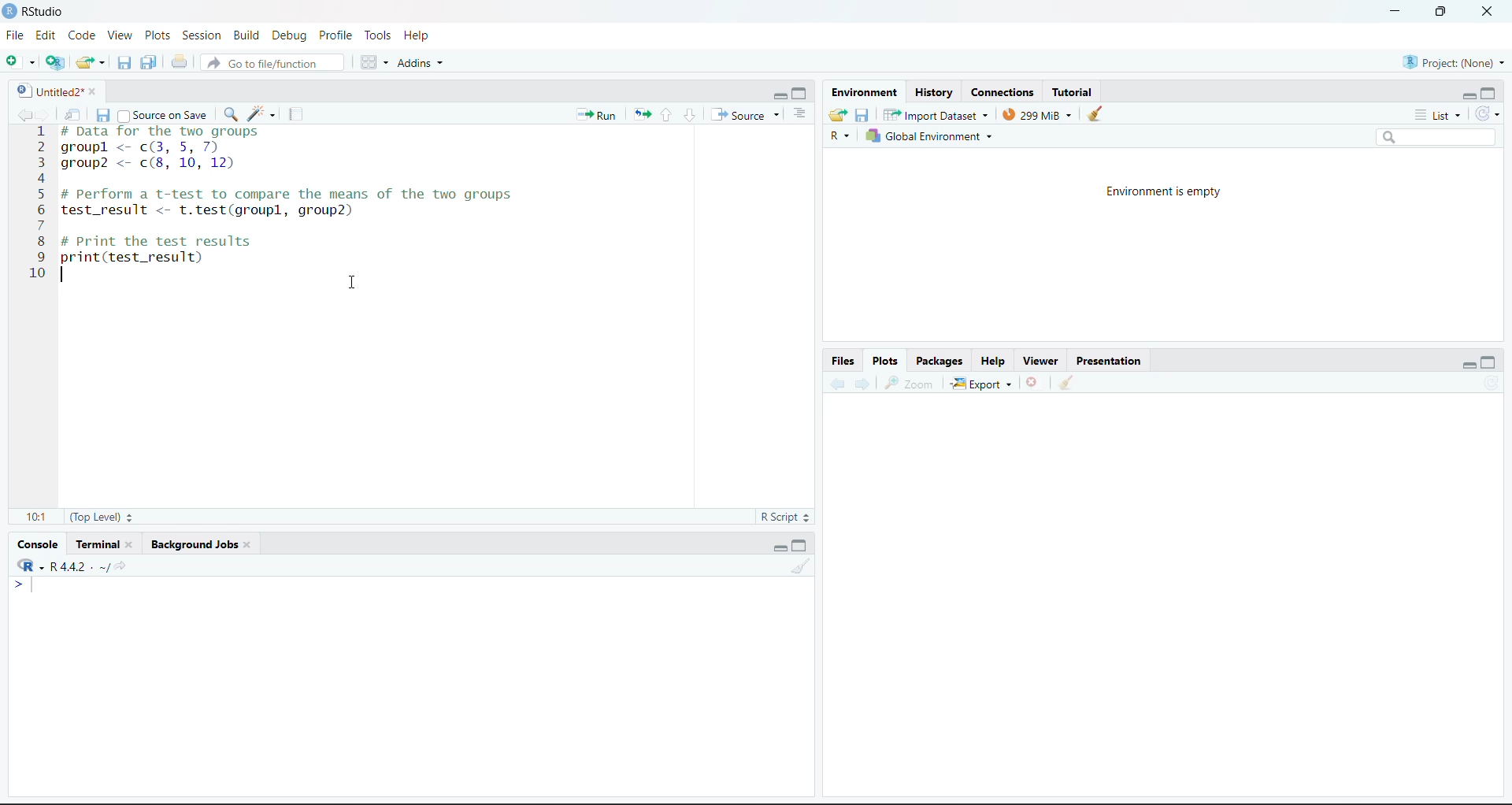  Describe the element at coordinates (46, 35) in the screenshot. I see `Edit` at that location.